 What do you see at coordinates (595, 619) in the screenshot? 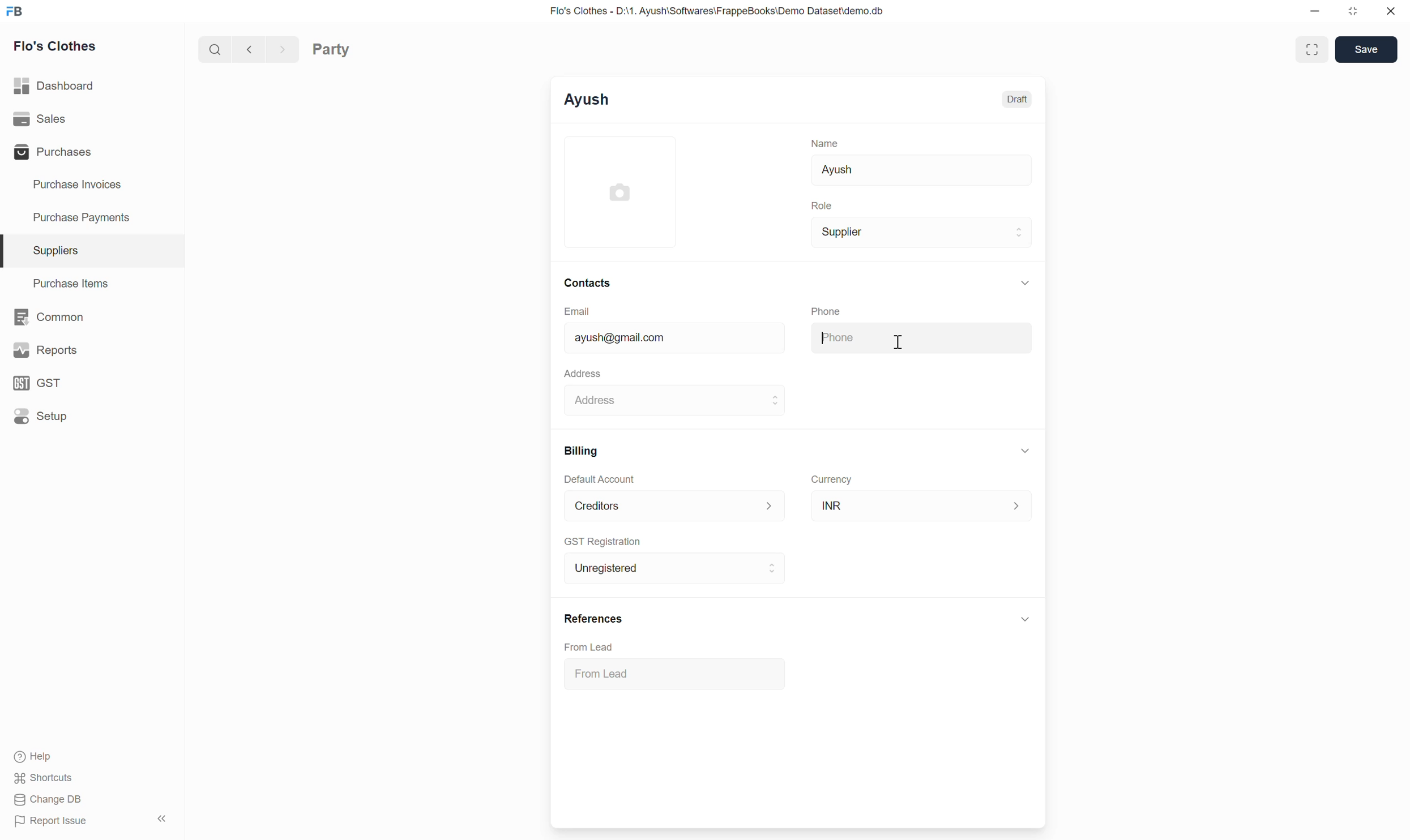
I see `References` at bounding box center [595, 619].